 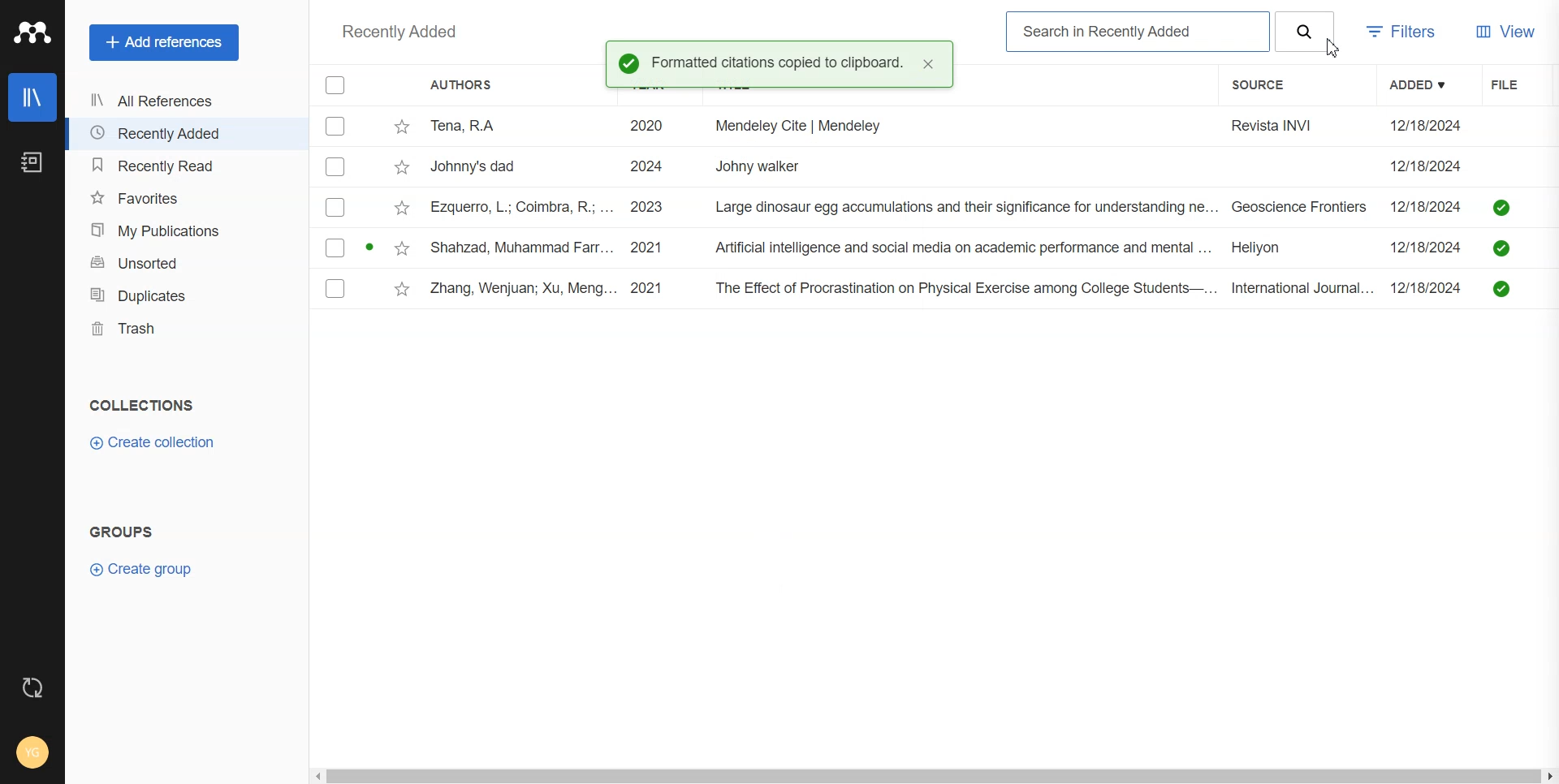 What do you see at coordinates (335, 289) in the screenshot?
I see `Checkbox` at bounding box center [335, 289].